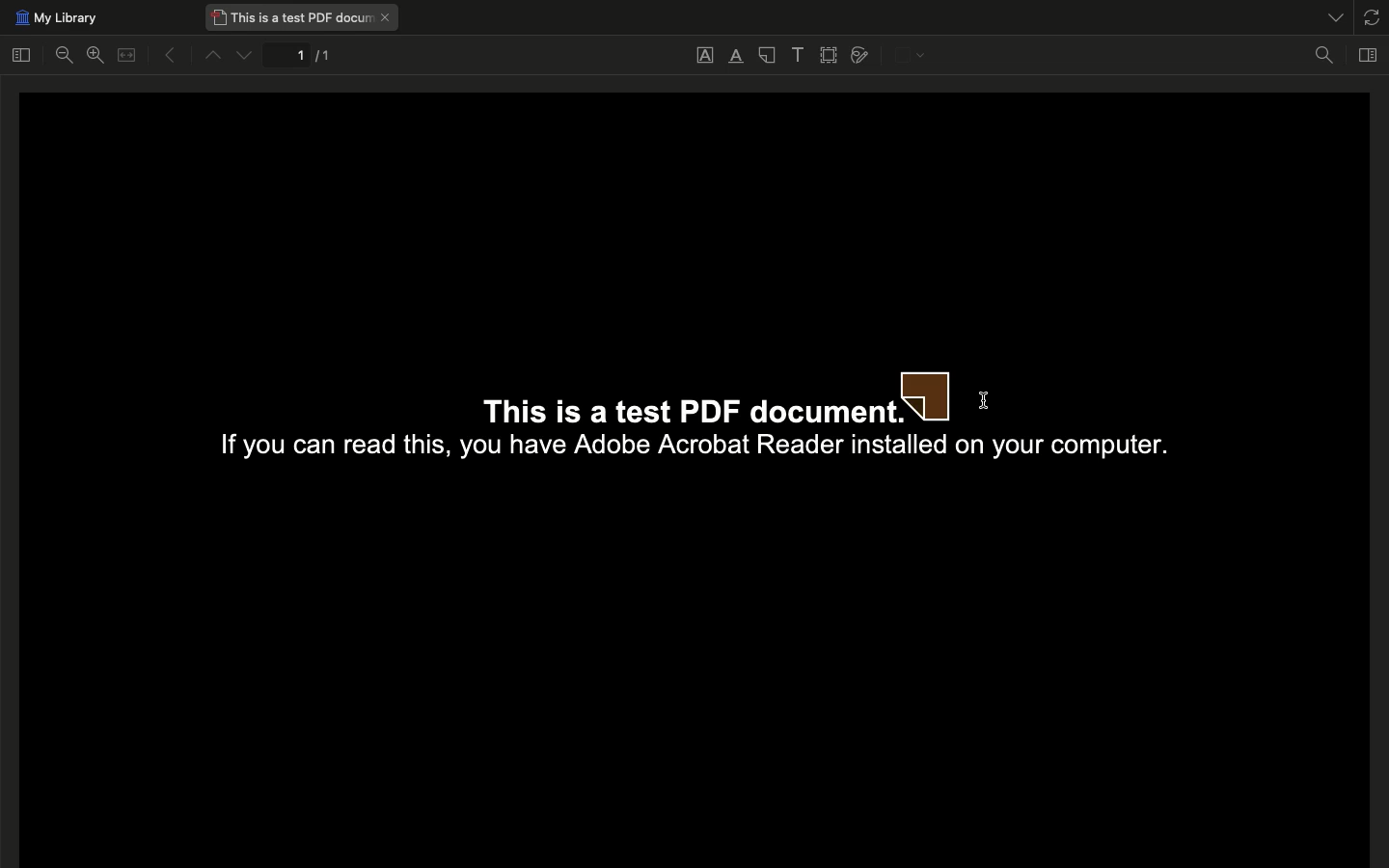 The height and width of the screenshot is (868, 1389). What do you see at coordinates (21, 54) in the screenshot?
I see `Toggle sidebar` at bounding box center [21, 54].